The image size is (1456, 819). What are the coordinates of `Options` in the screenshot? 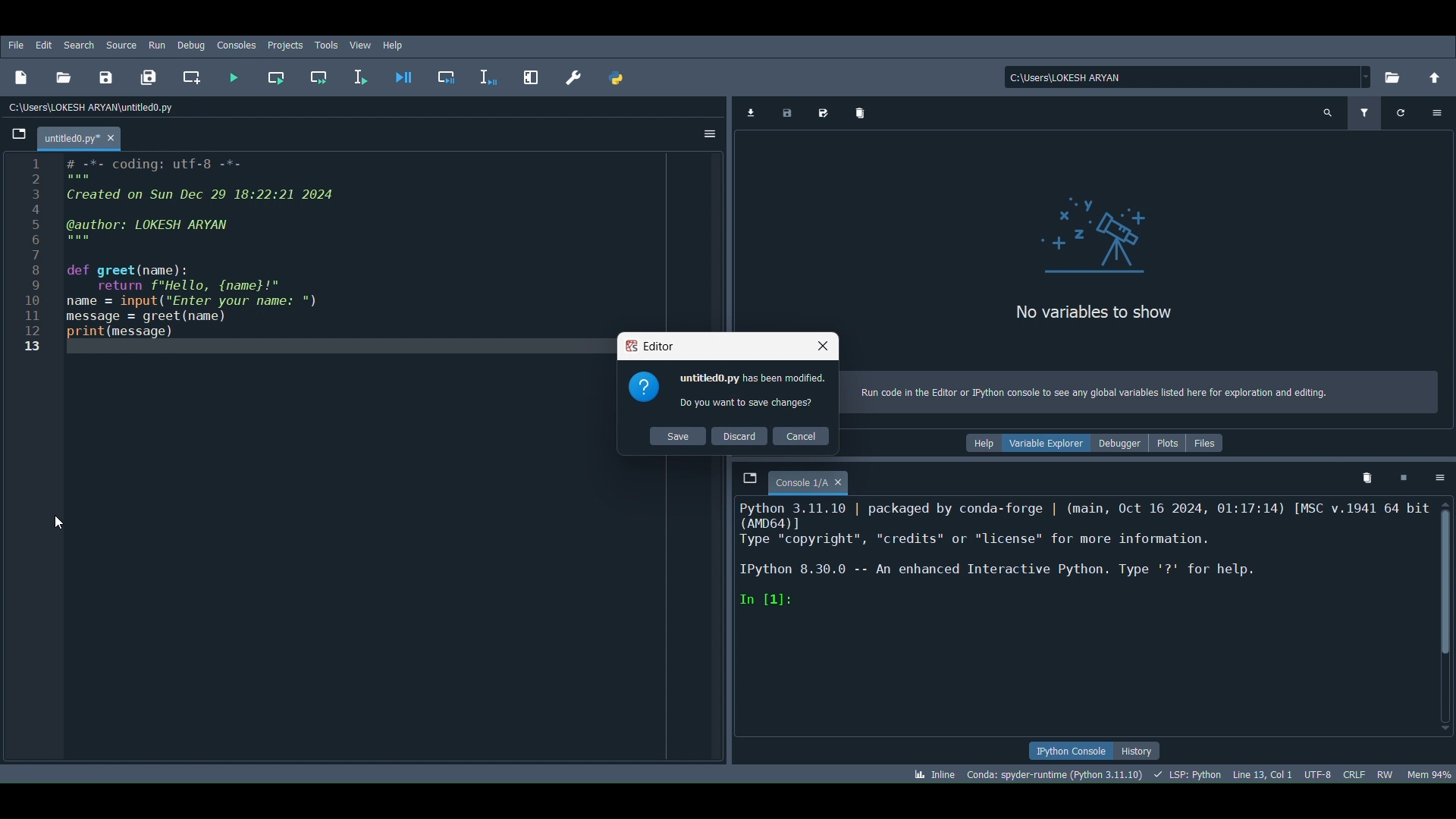 It's located at (1439, 479).